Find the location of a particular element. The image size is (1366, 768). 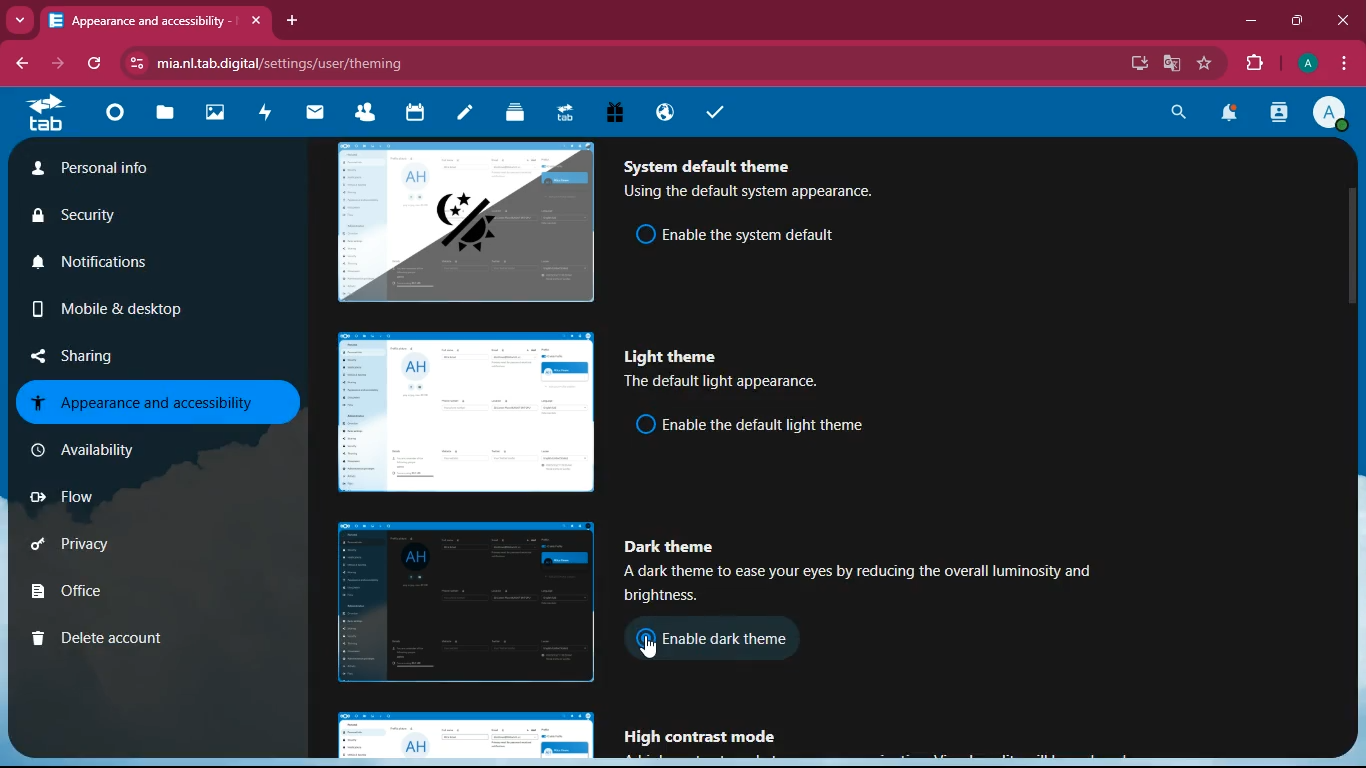

flow is located at coordinates (138, 504).